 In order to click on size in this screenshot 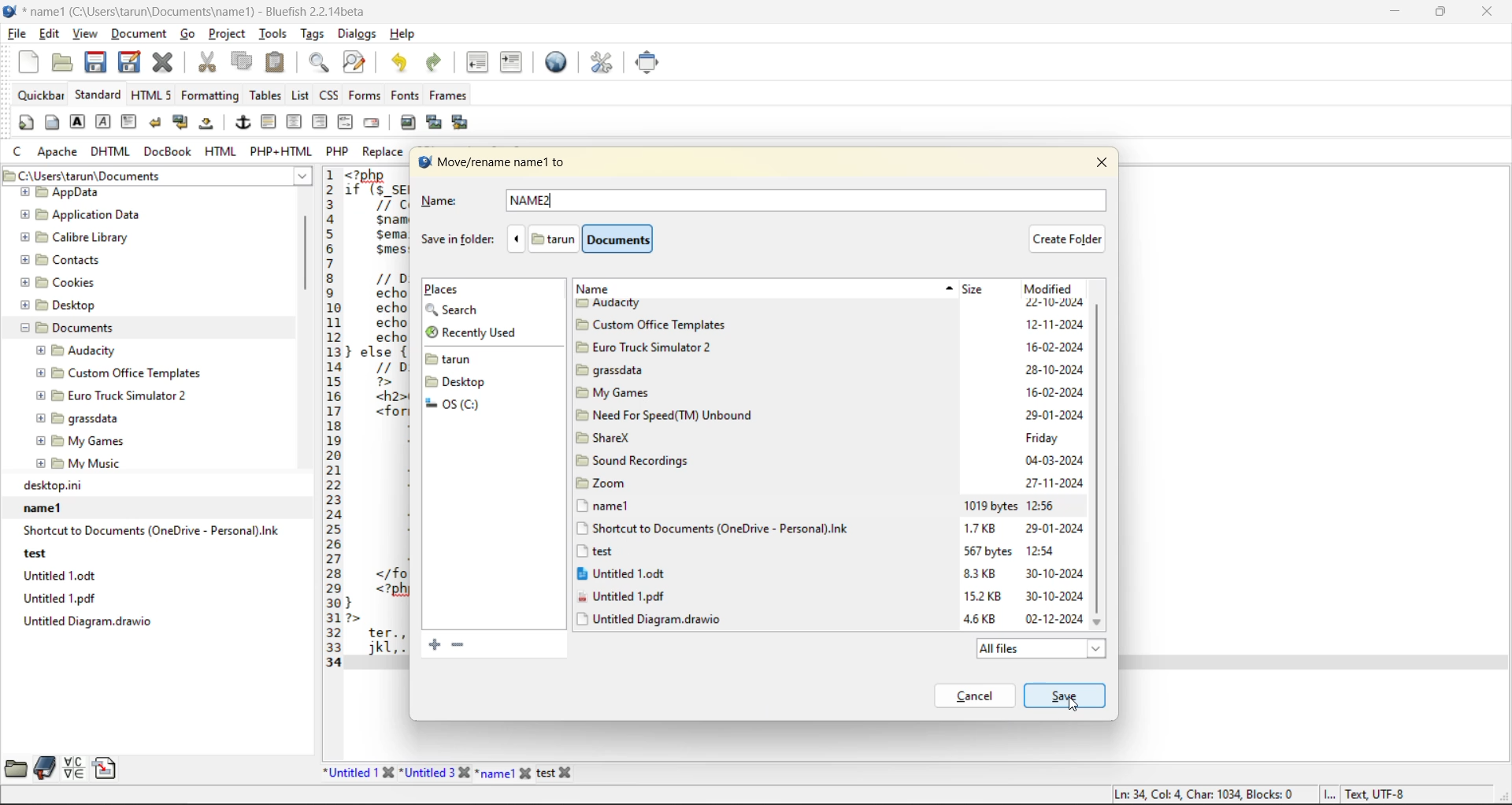, I will do `click(991, 565)`.